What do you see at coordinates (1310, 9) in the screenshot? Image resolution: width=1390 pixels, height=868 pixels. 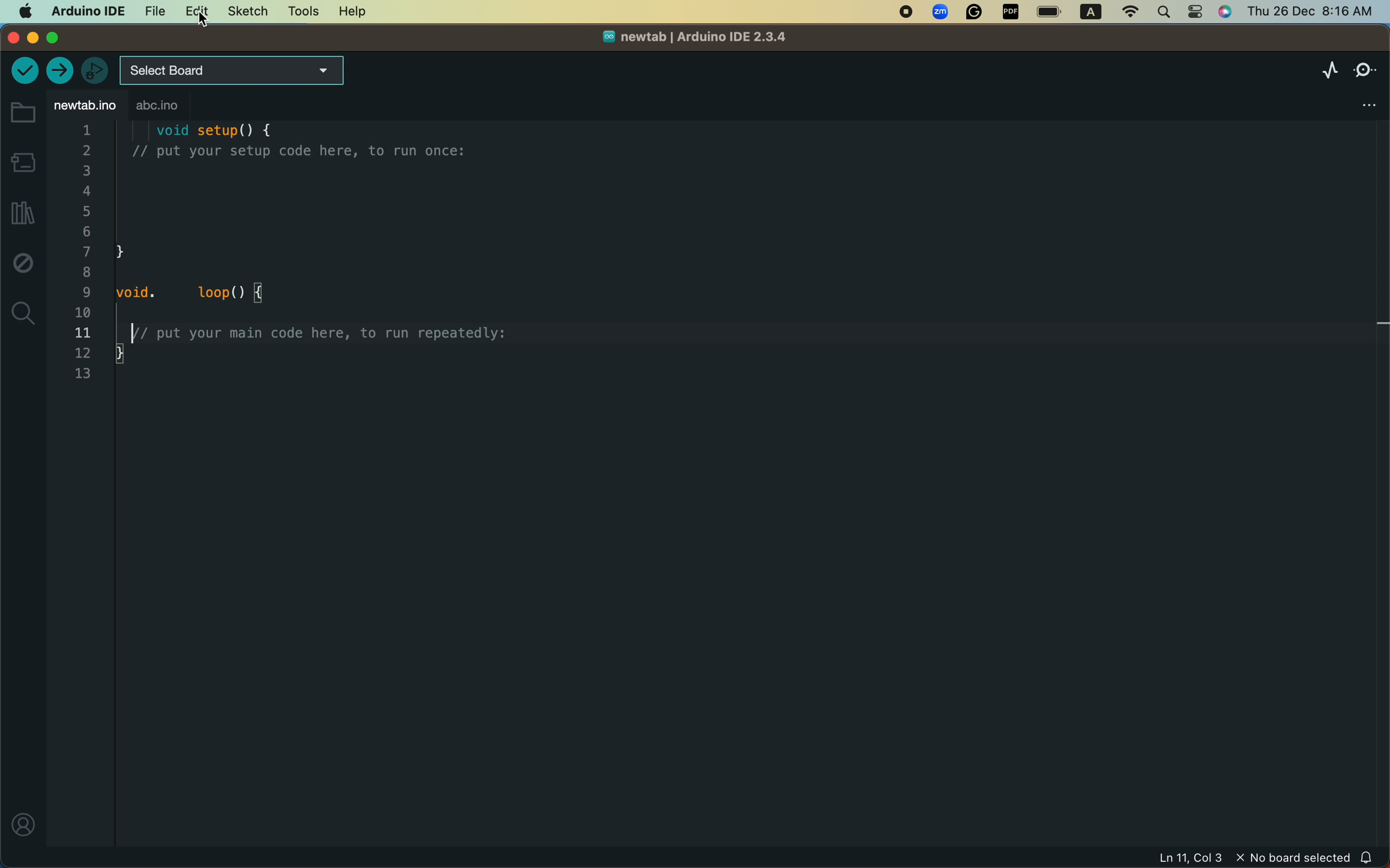 I see `` at bounding box center [1310, 9].